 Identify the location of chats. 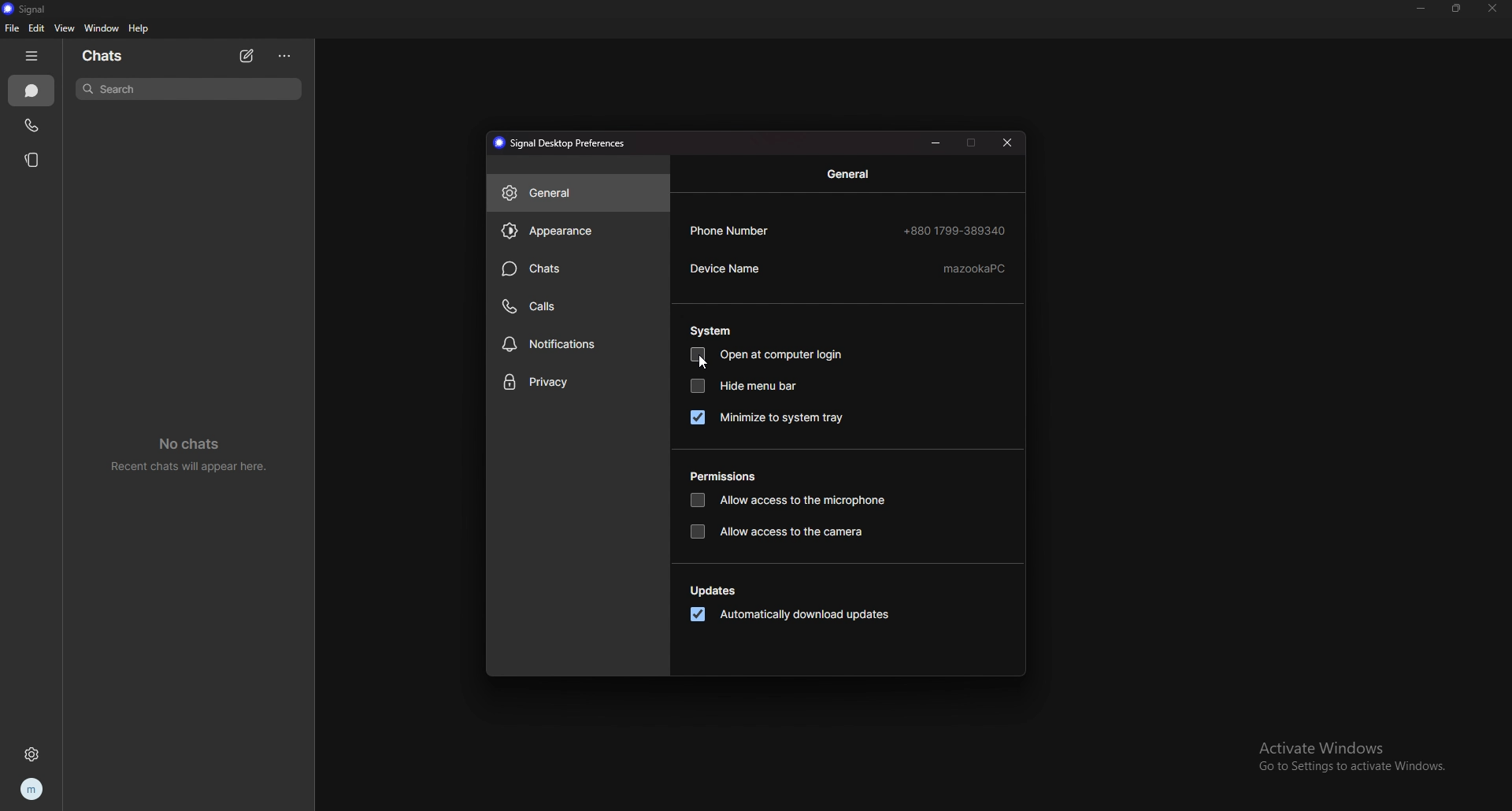
(576, 269).